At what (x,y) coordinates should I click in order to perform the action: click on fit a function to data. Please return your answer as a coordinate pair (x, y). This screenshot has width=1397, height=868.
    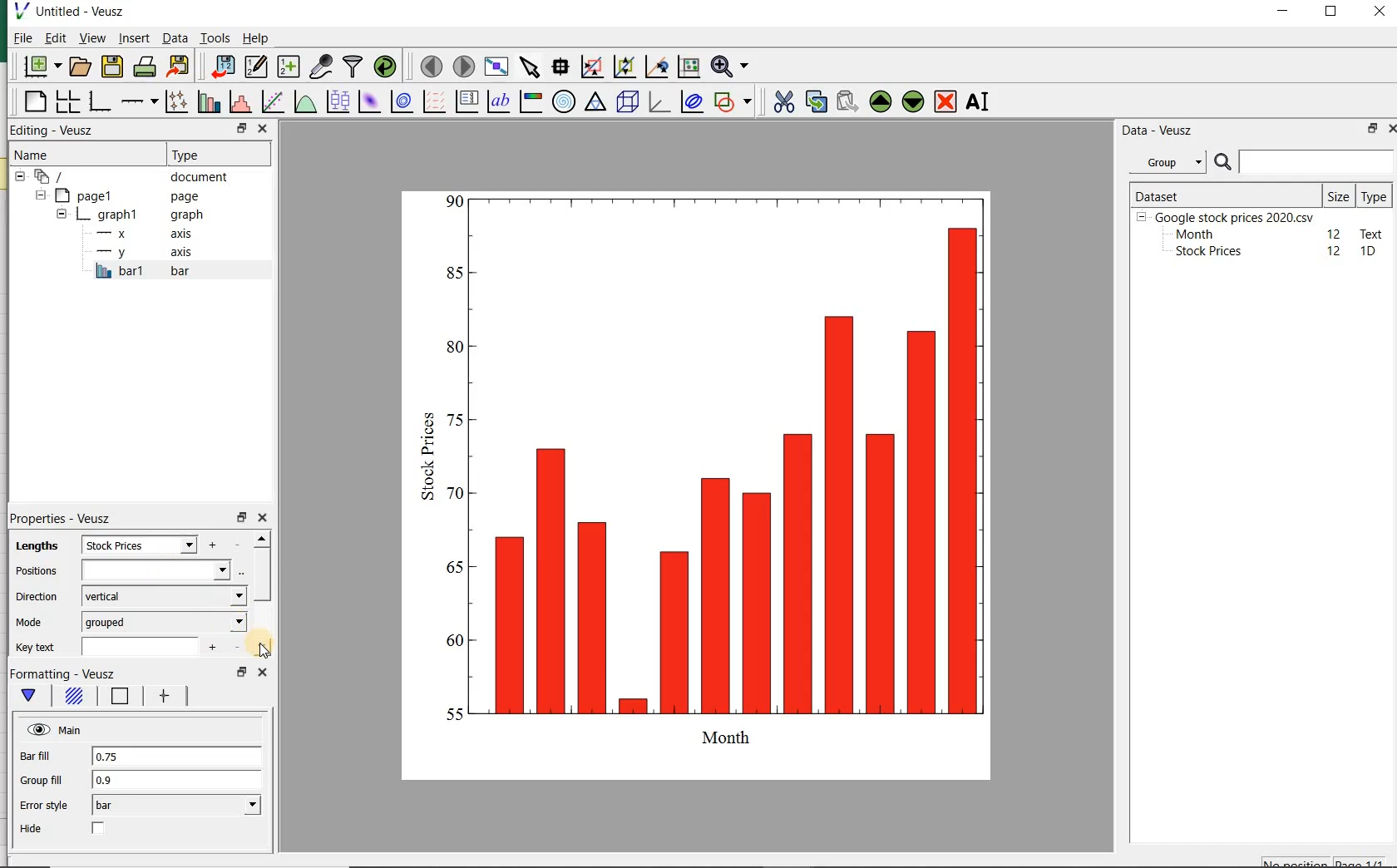
    Looking at the image, I should click on (271, 102).